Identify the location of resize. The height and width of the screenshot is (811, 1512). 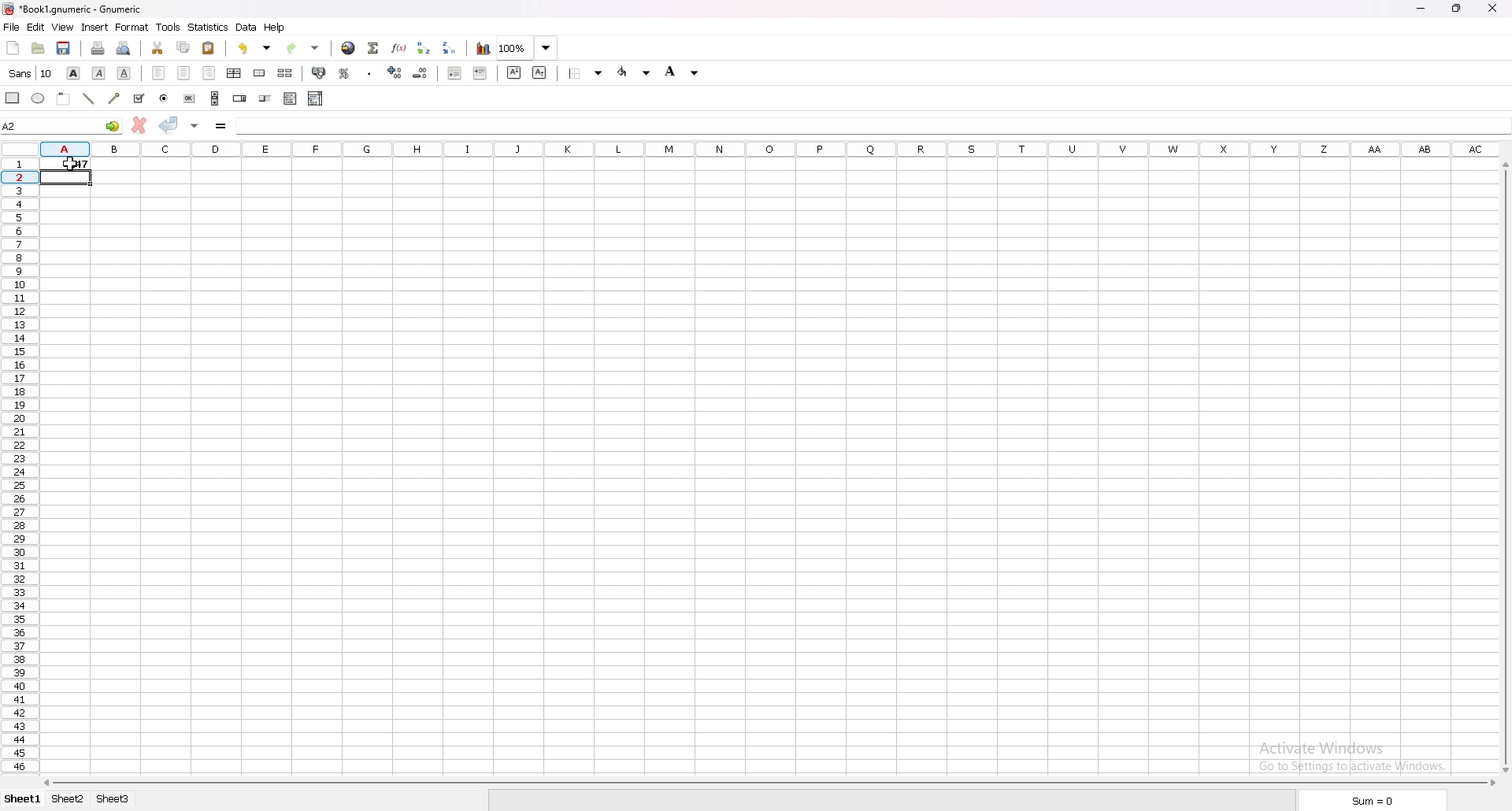
(1455, 9).